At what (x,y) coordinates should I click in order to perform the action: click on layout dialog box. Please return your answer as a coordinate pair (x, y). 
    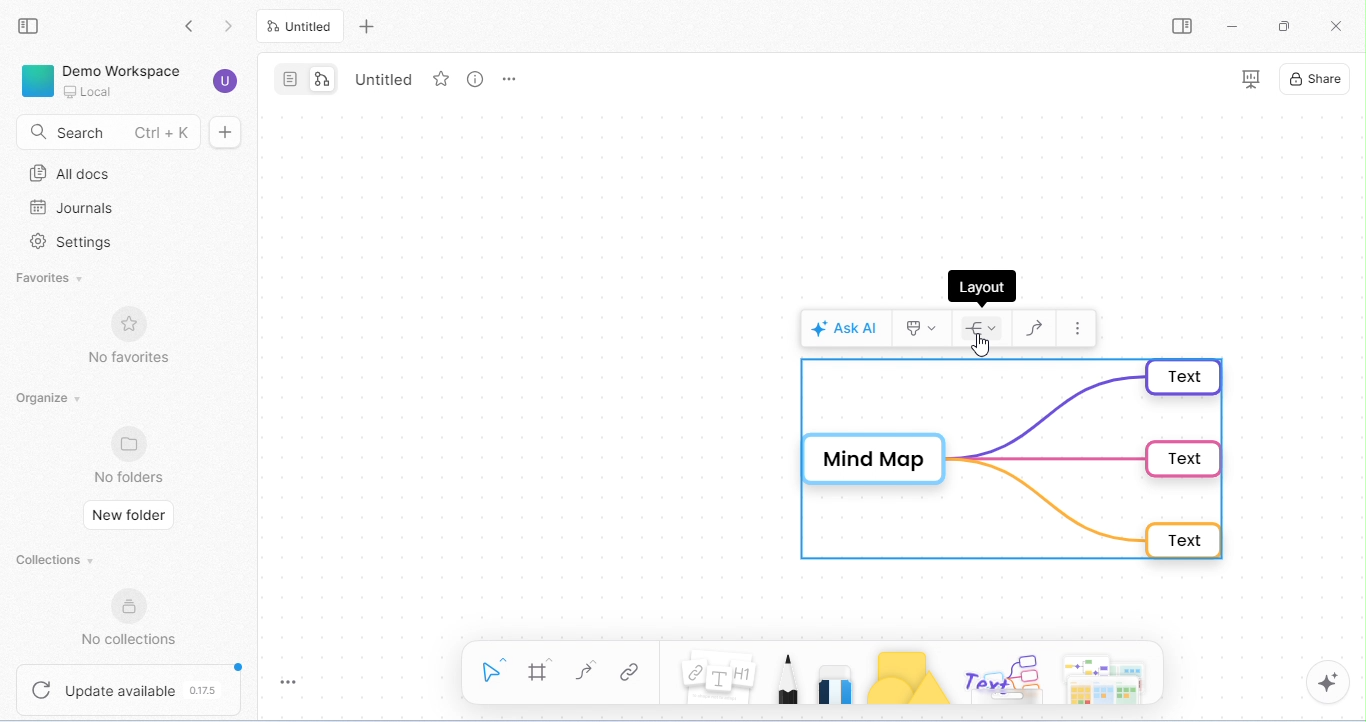
    Looking at the image, I should click on (982, 286).